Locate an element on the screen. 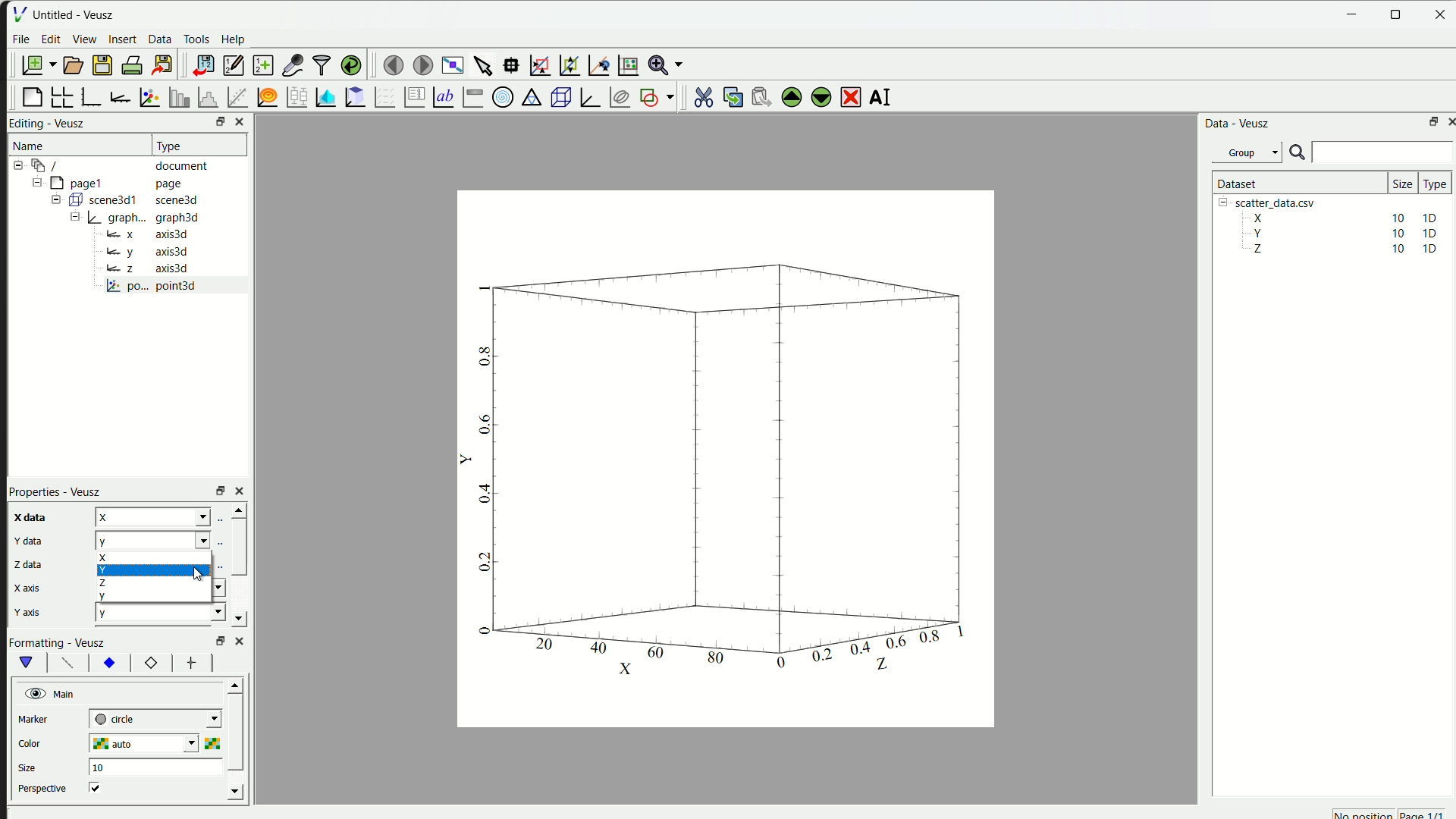 The image size is (1456, 819). Group  is located at coordinates (1247, 154).